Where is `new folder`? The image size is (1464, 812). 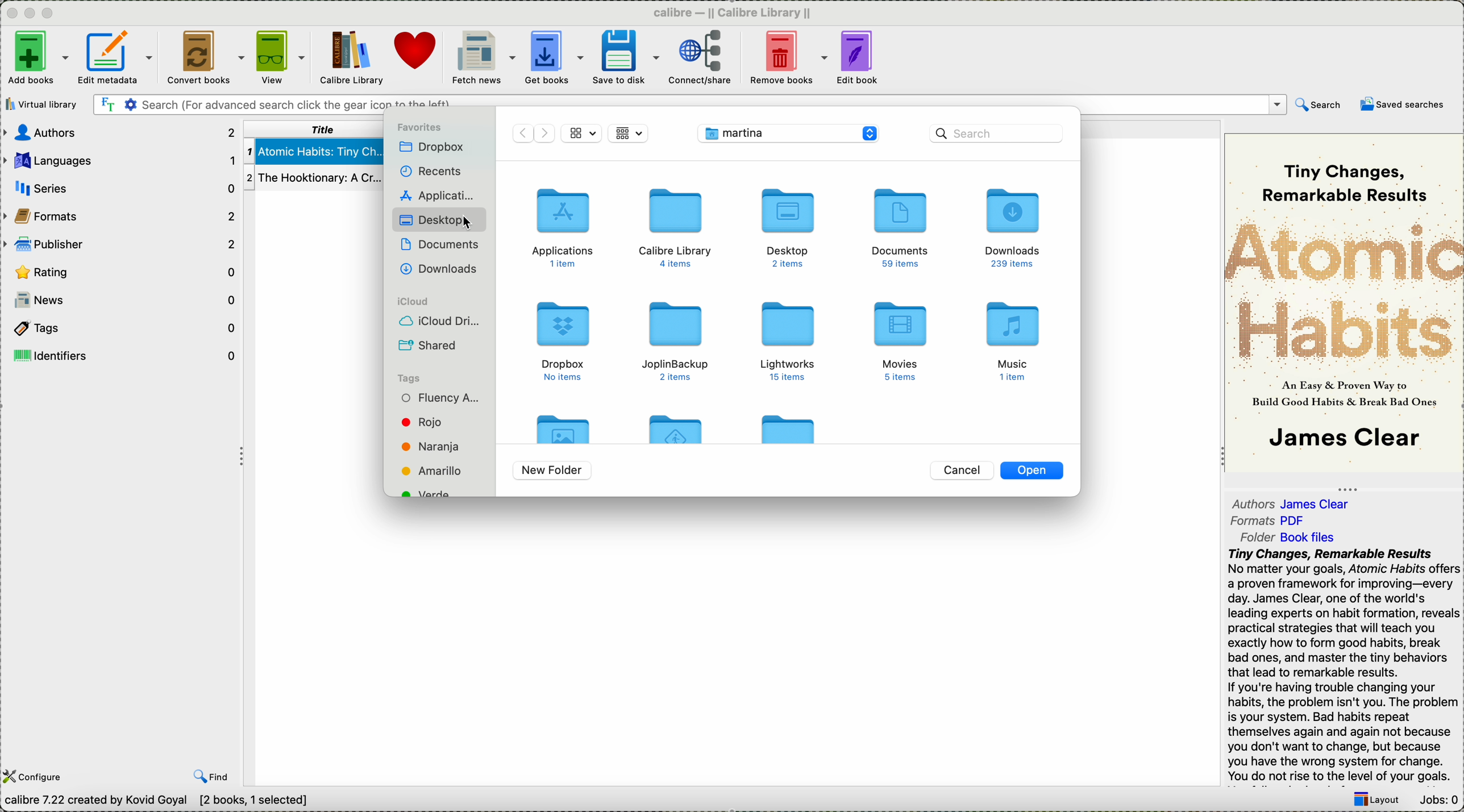
new folder is located at coordinates (554, 470).